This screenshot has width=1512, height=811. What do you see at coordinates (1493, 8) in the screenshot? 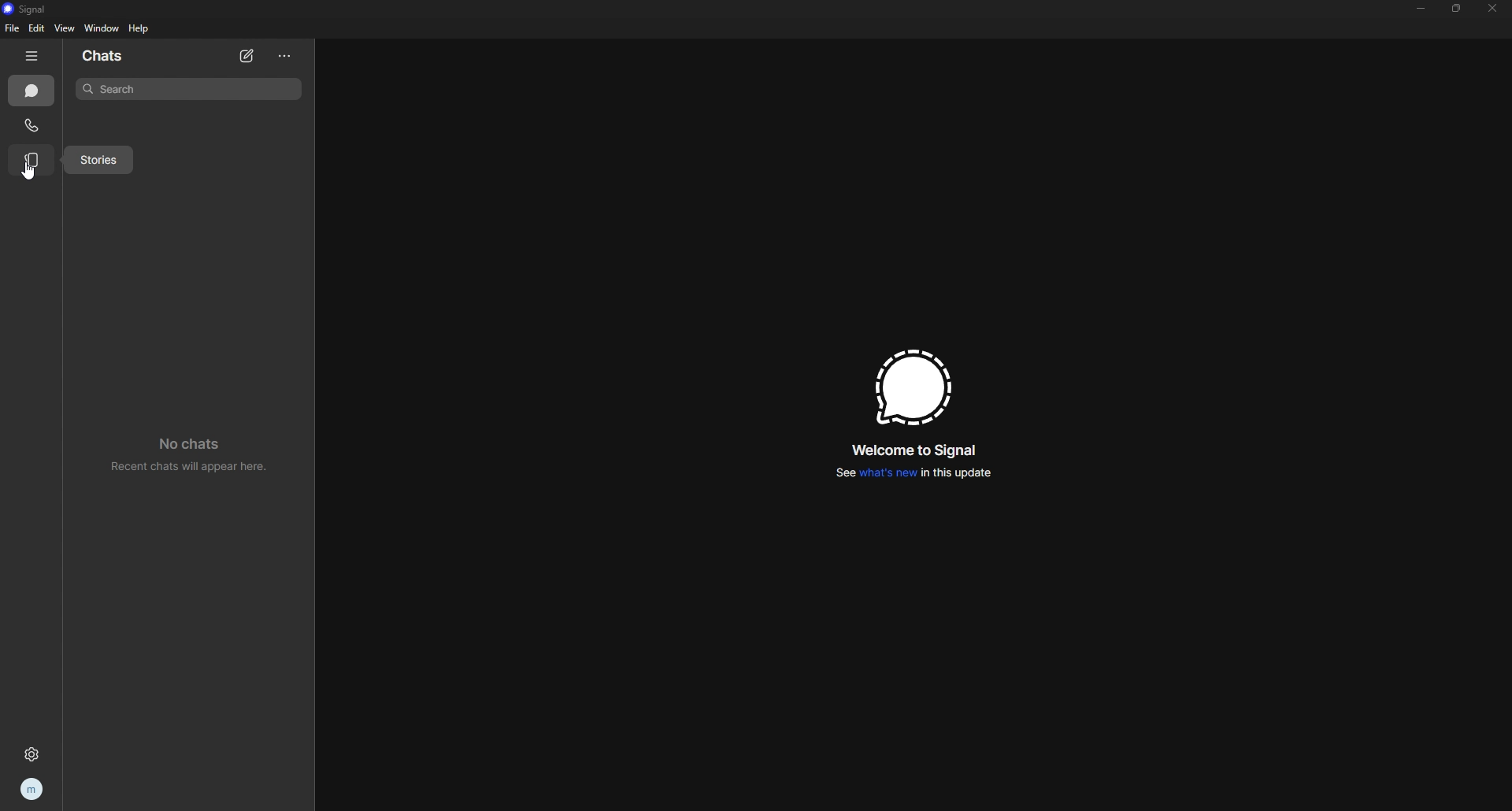
I see `close` at bounding box center [1493, 8].